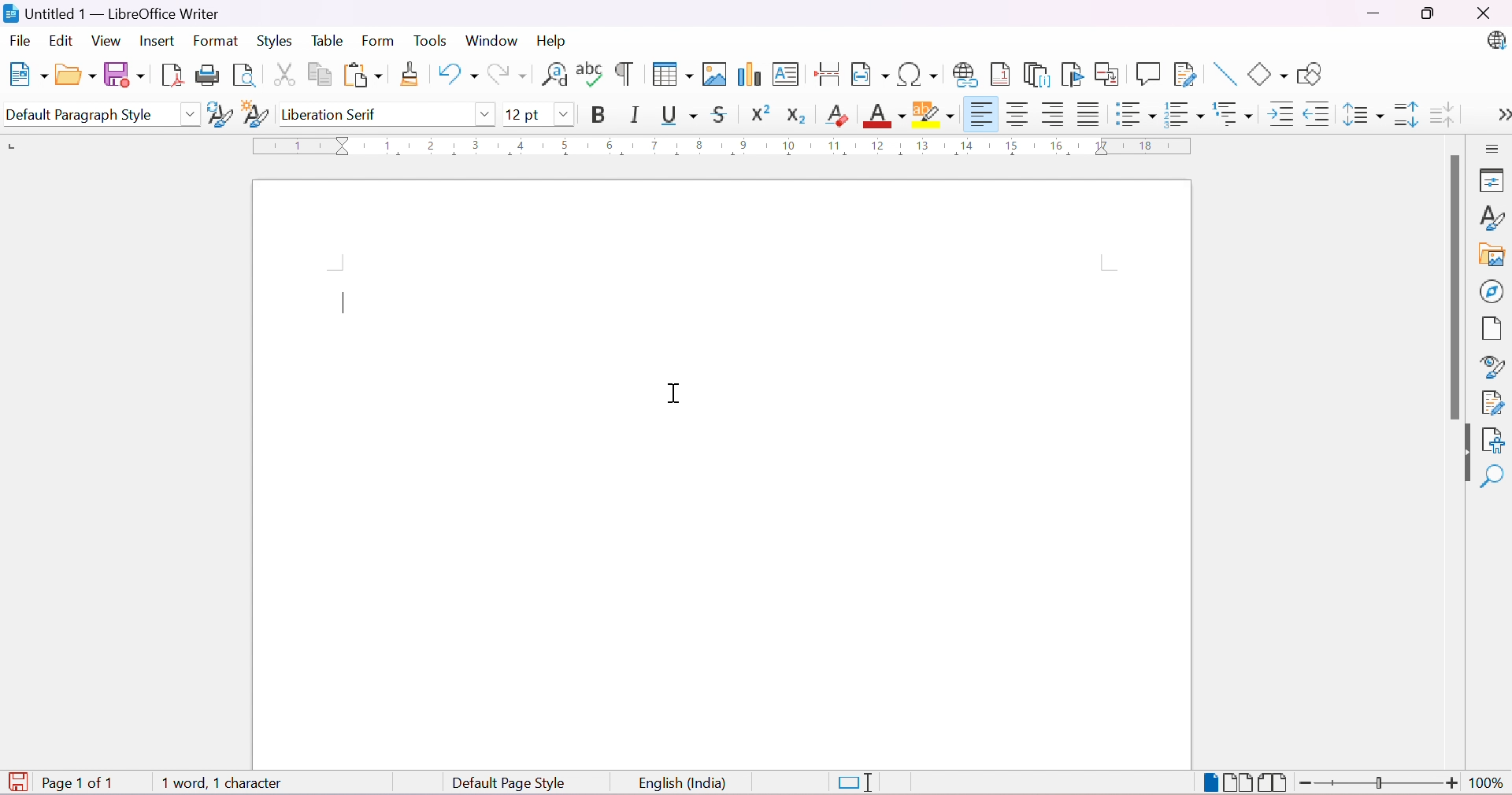 The height and width of the screenshot is (795, 1512). I want to click on Close, so click(1489, 15).